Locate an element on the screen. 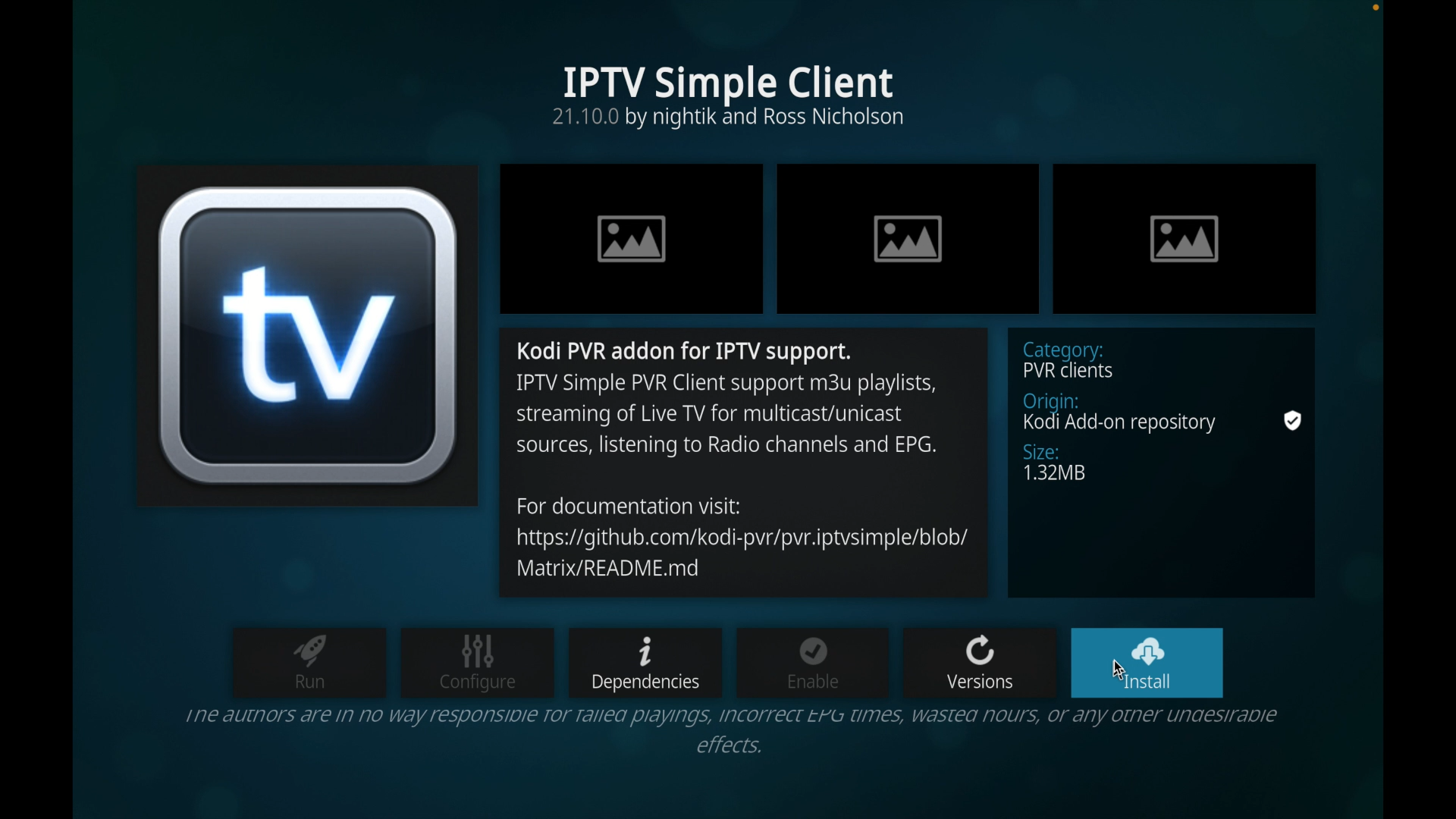 Image resolution: width=1456 pixels, height=819 pixels. Size:
1 32MB is located at coordinates (1150, 463).